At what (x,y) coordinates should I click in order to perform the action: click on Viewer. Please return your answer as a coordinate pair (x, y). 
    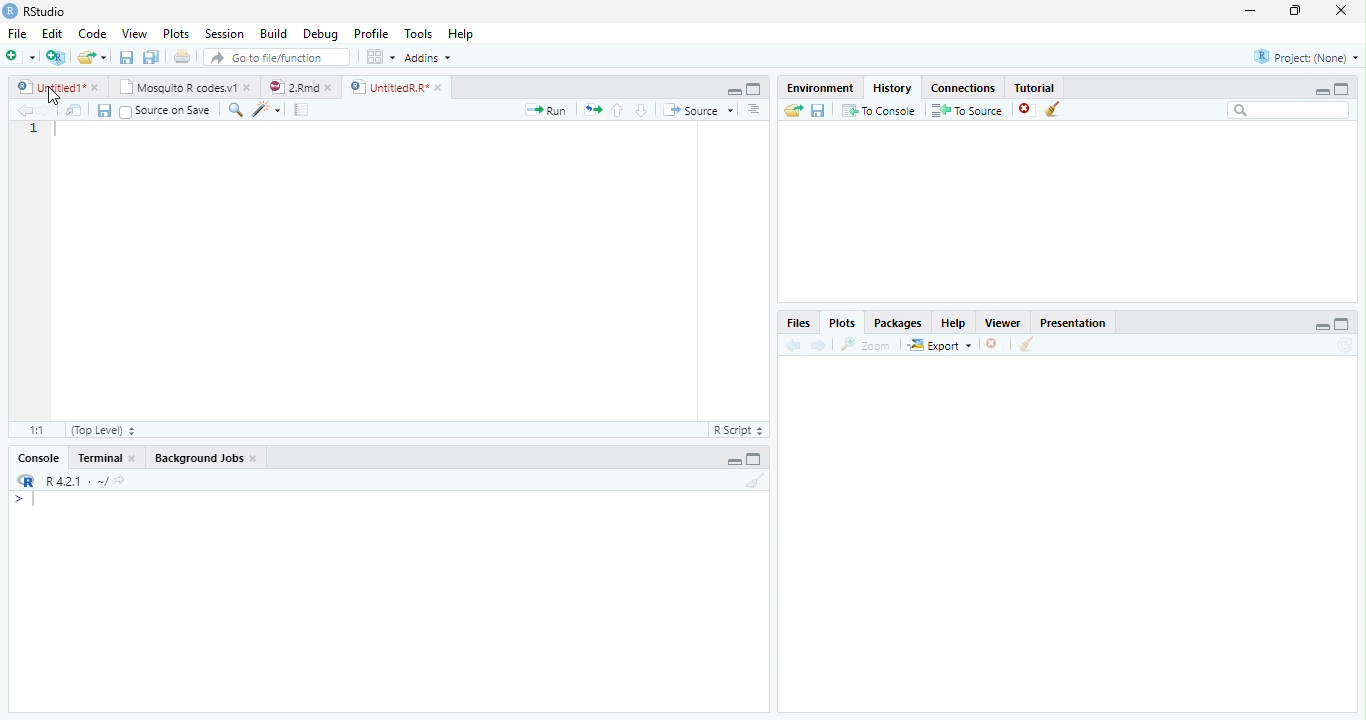
    Looking at the image, I should click on (1004, 325).